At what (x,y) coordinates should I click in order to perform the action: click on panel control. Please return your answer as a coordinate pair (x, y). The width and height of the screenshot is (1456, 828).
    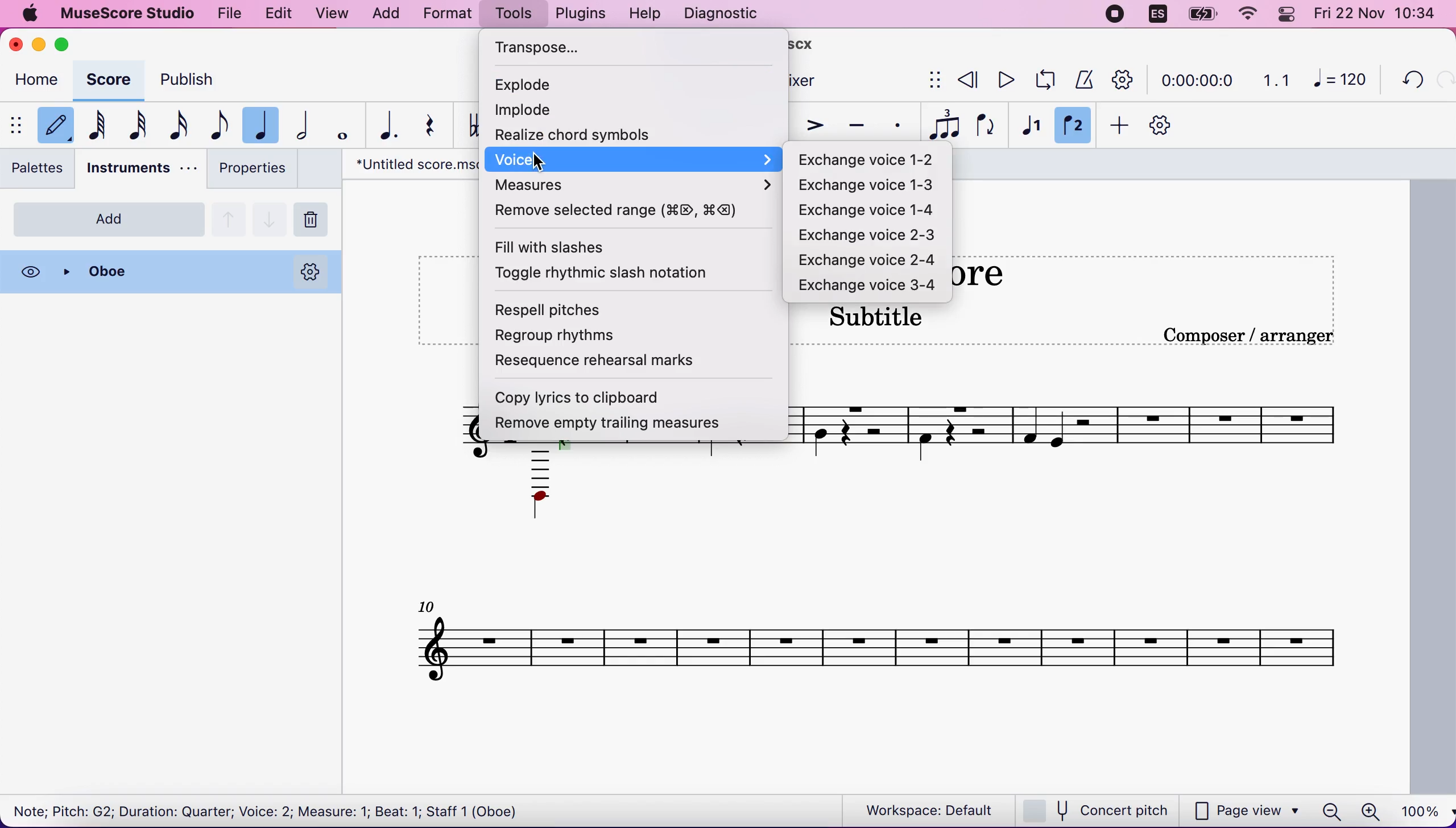
    Looking at the image, I should click on (1285, 14).